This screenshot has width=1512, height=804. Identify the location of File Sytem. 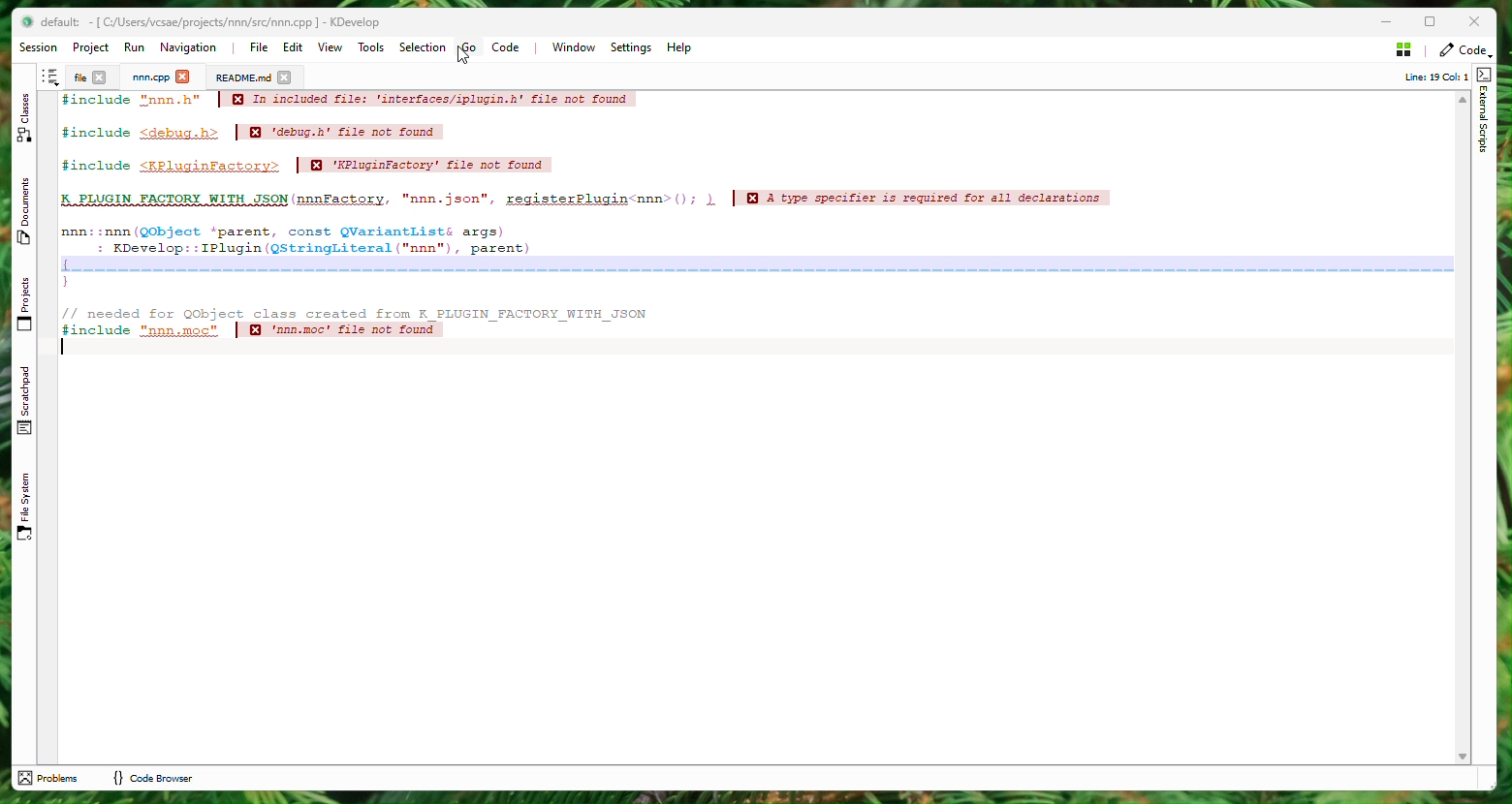
(27, 509).